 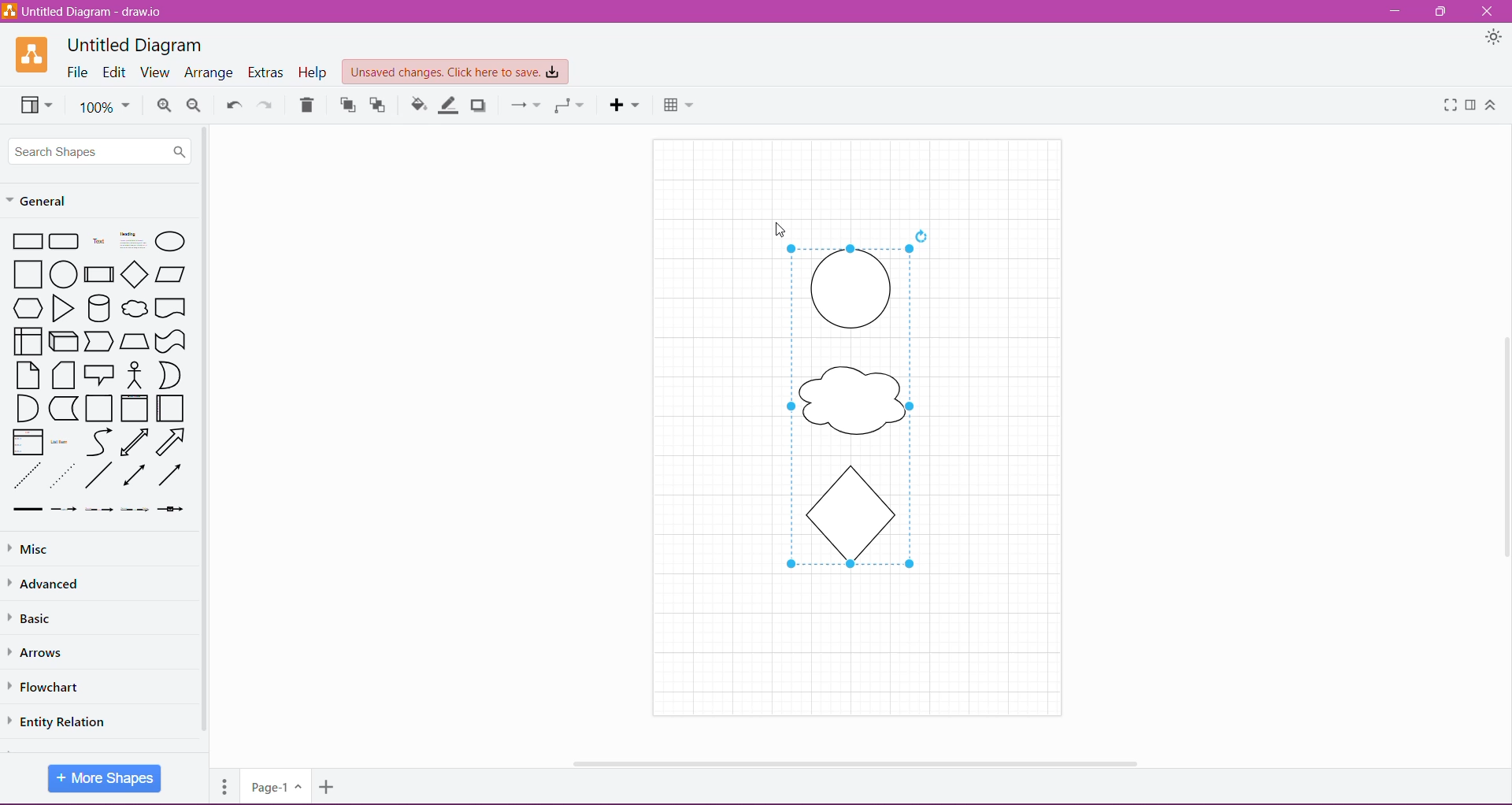 I want to click on Undo, so click(x=232, y=103).